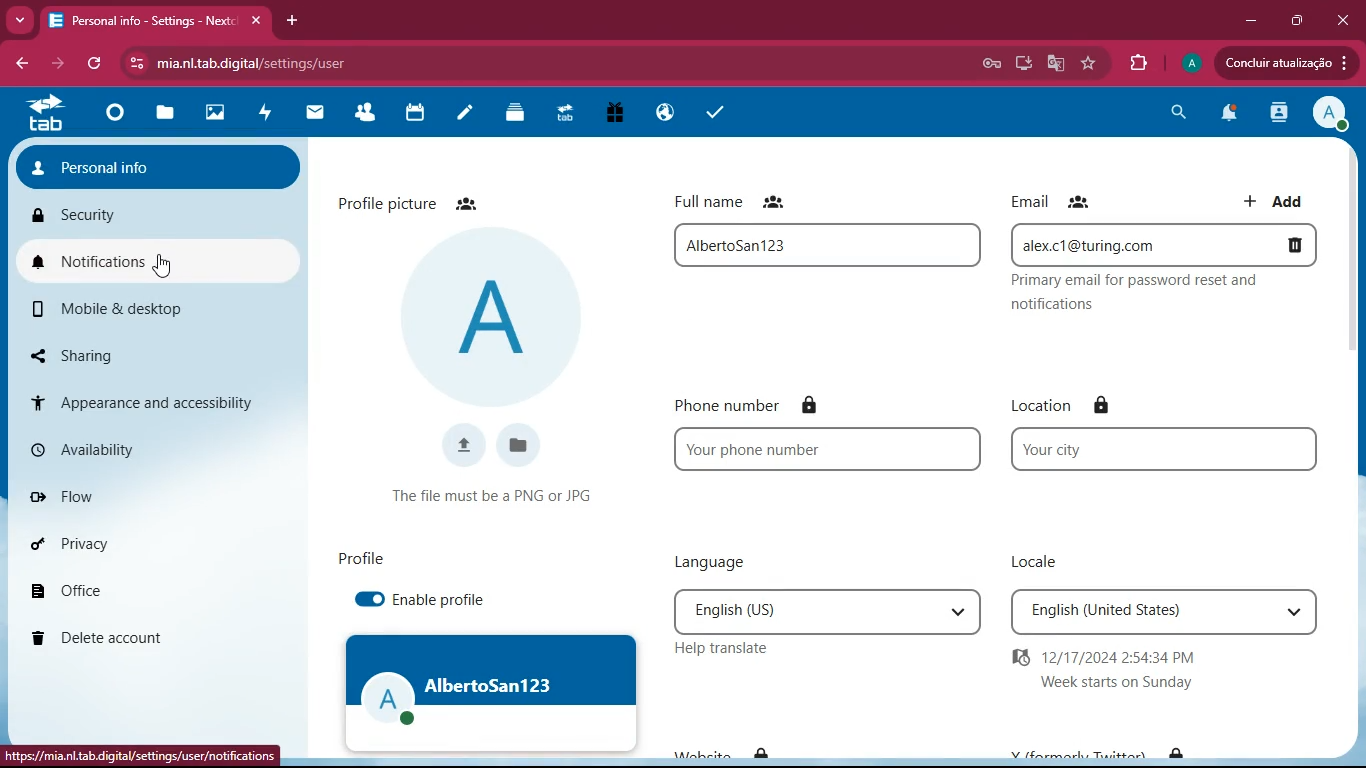 This screenshot has width=1366, height=768. What do you see at coordinates (723, 650) in the screenshot?
I see `help` at bounding box center [723, 650].